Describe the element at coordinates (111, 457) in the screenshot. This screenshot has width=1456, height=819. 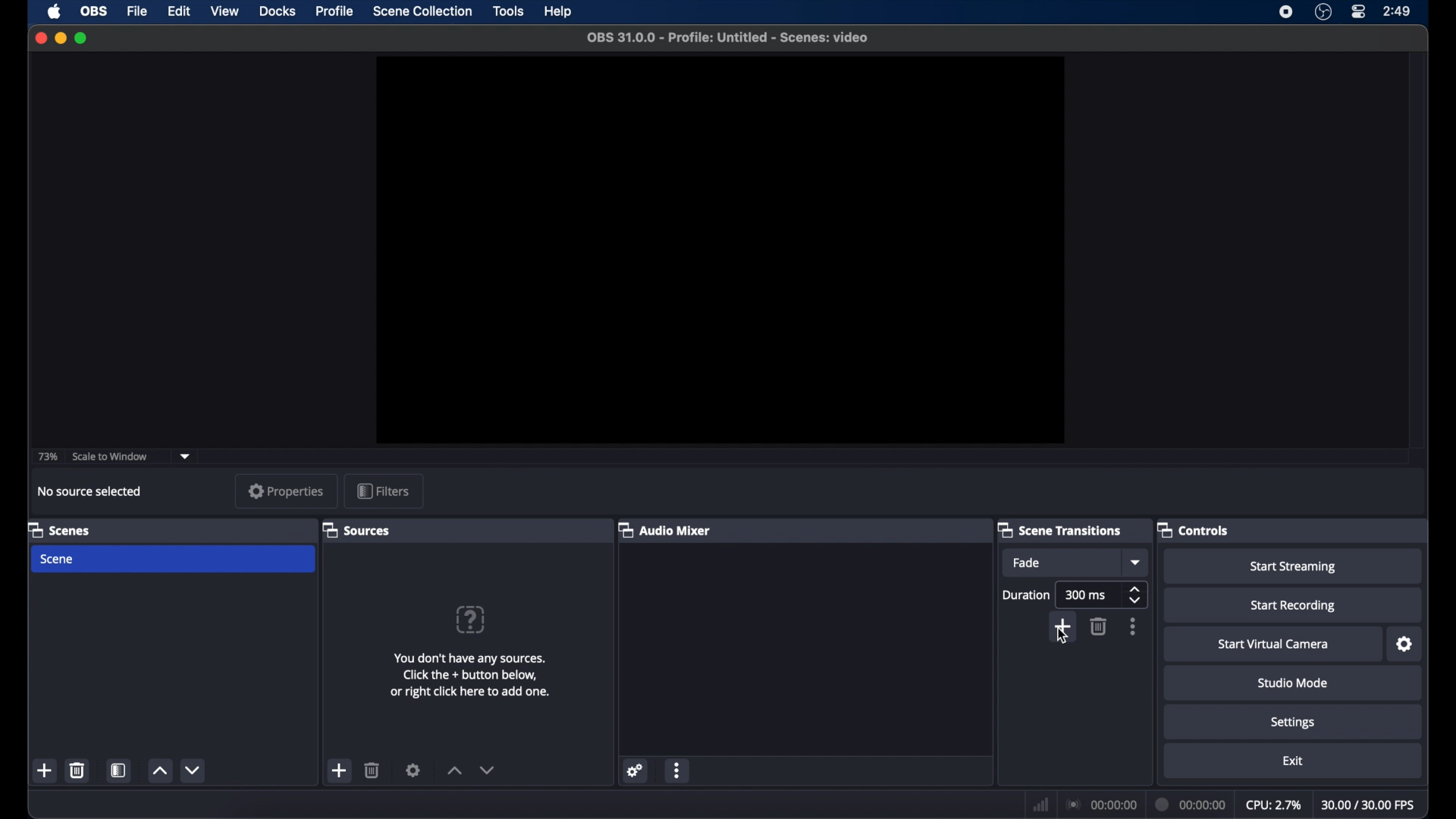
I see `scale to window` at that location.